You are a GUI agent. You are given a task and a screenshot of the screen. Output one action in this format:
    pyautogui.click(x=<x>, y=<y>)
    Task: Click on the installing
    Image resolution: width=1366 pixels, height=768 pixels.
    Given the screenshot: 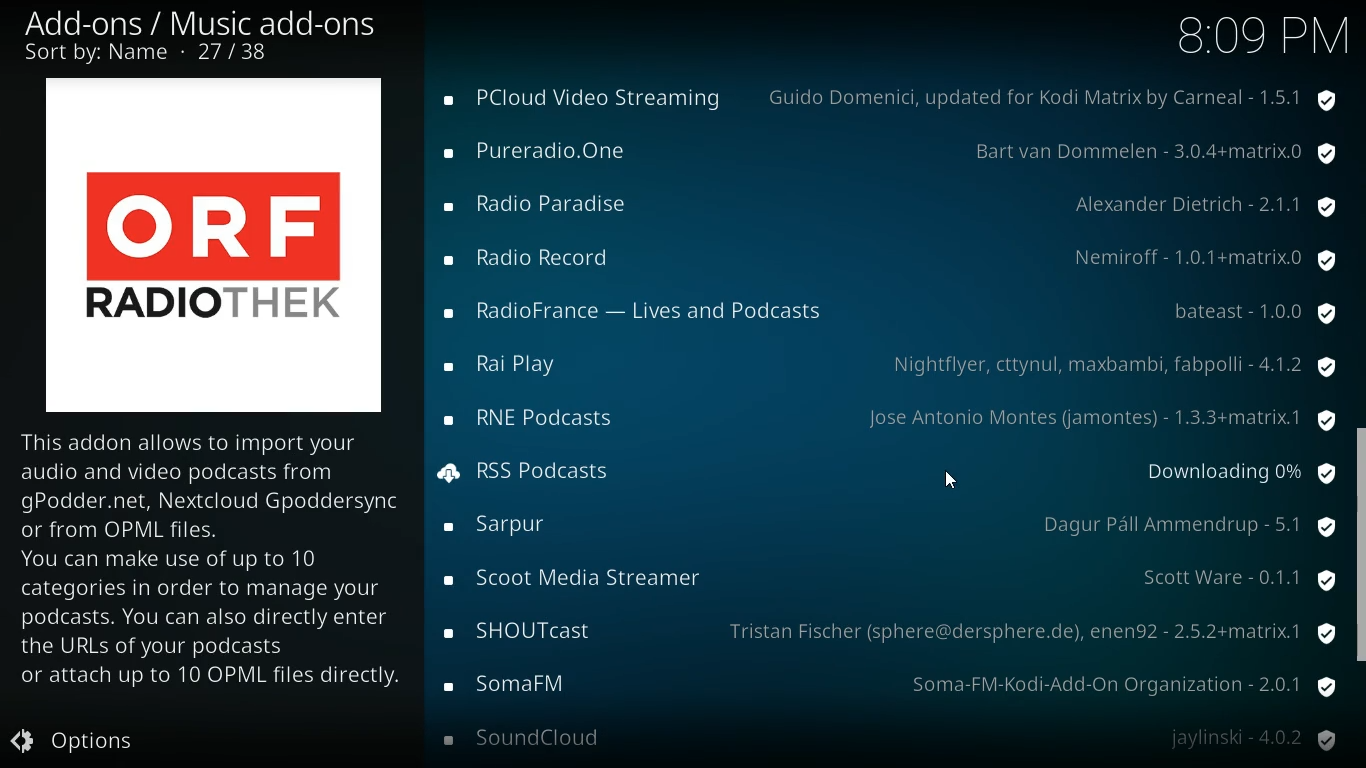 What is the action you would take?
    pyautogui.click(x=452, y=473)
    